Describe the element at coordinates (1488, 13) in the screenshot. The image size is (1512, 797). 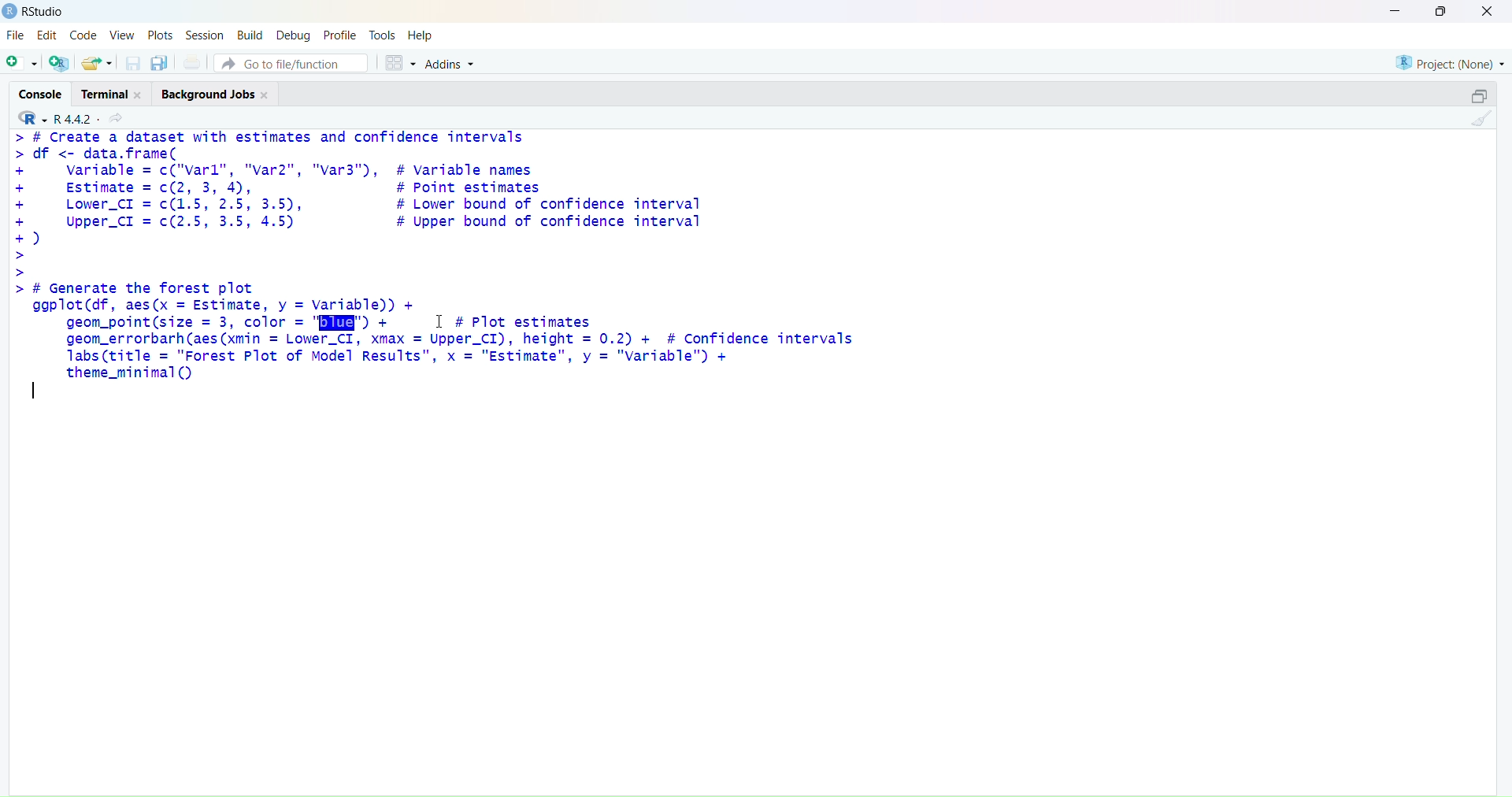
I see `close` at that location.